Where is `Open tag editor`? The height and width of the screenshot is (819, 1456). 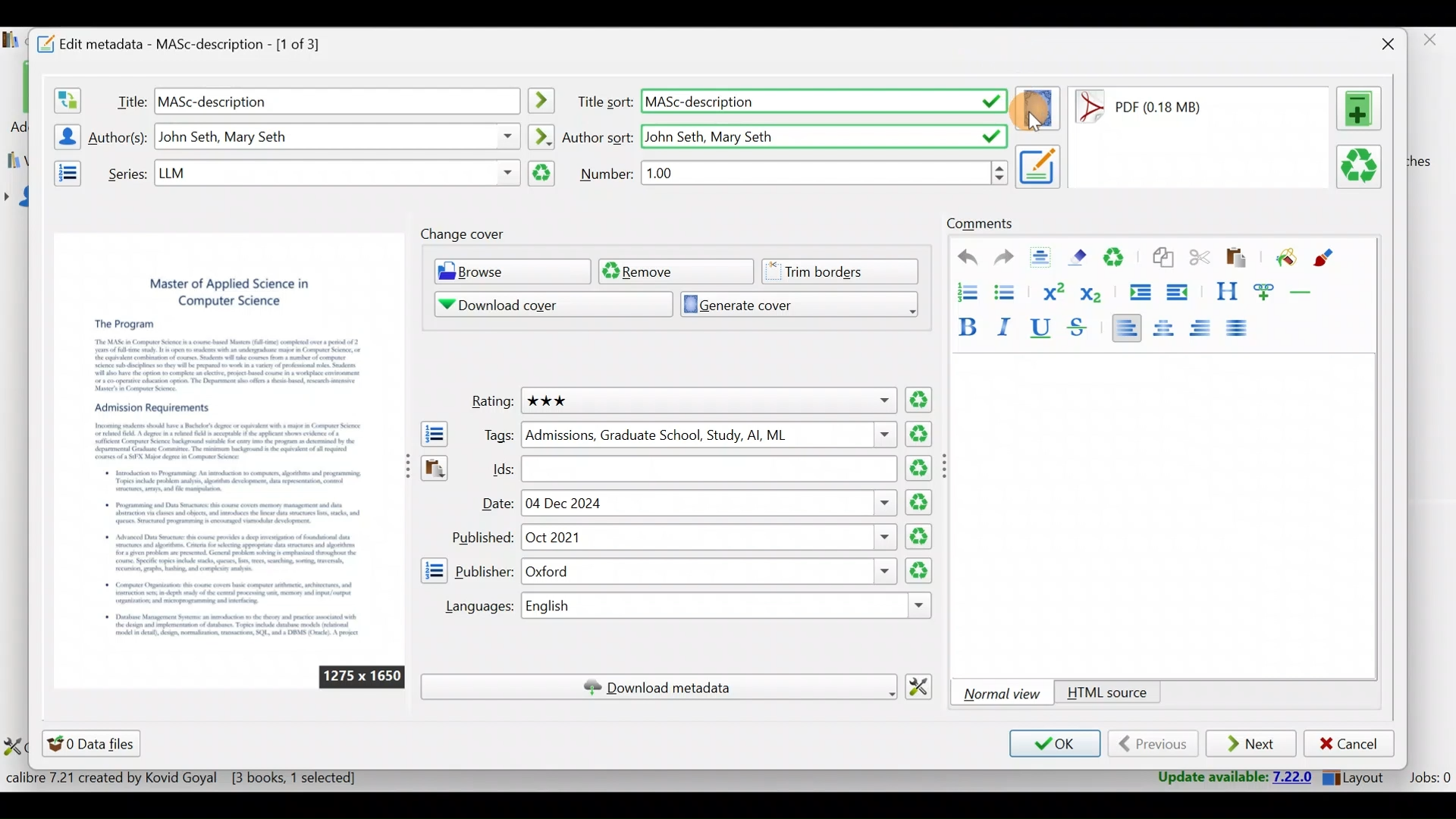
Open tag editor is located at coordinates (431, 434).